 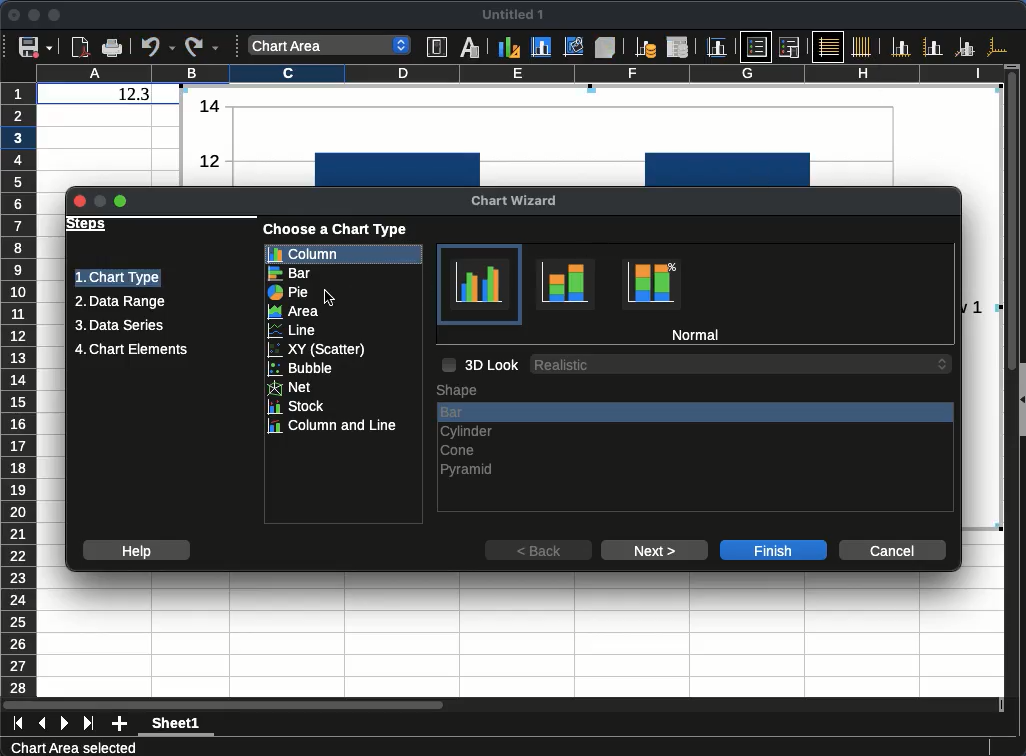 I want to click on Data ranges, so click(x=645, y=47).